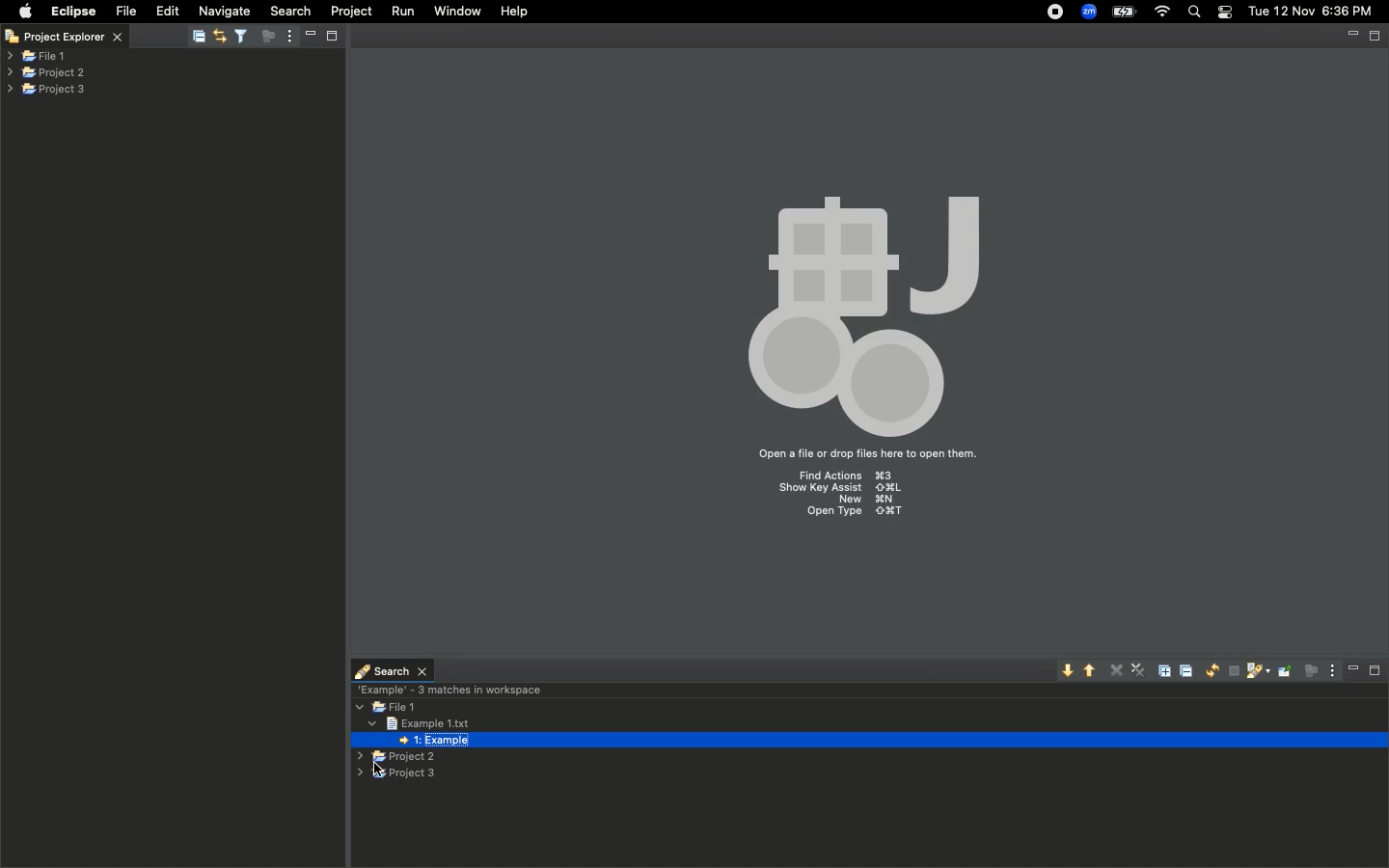  I want to click on Run, so click(404, 12).